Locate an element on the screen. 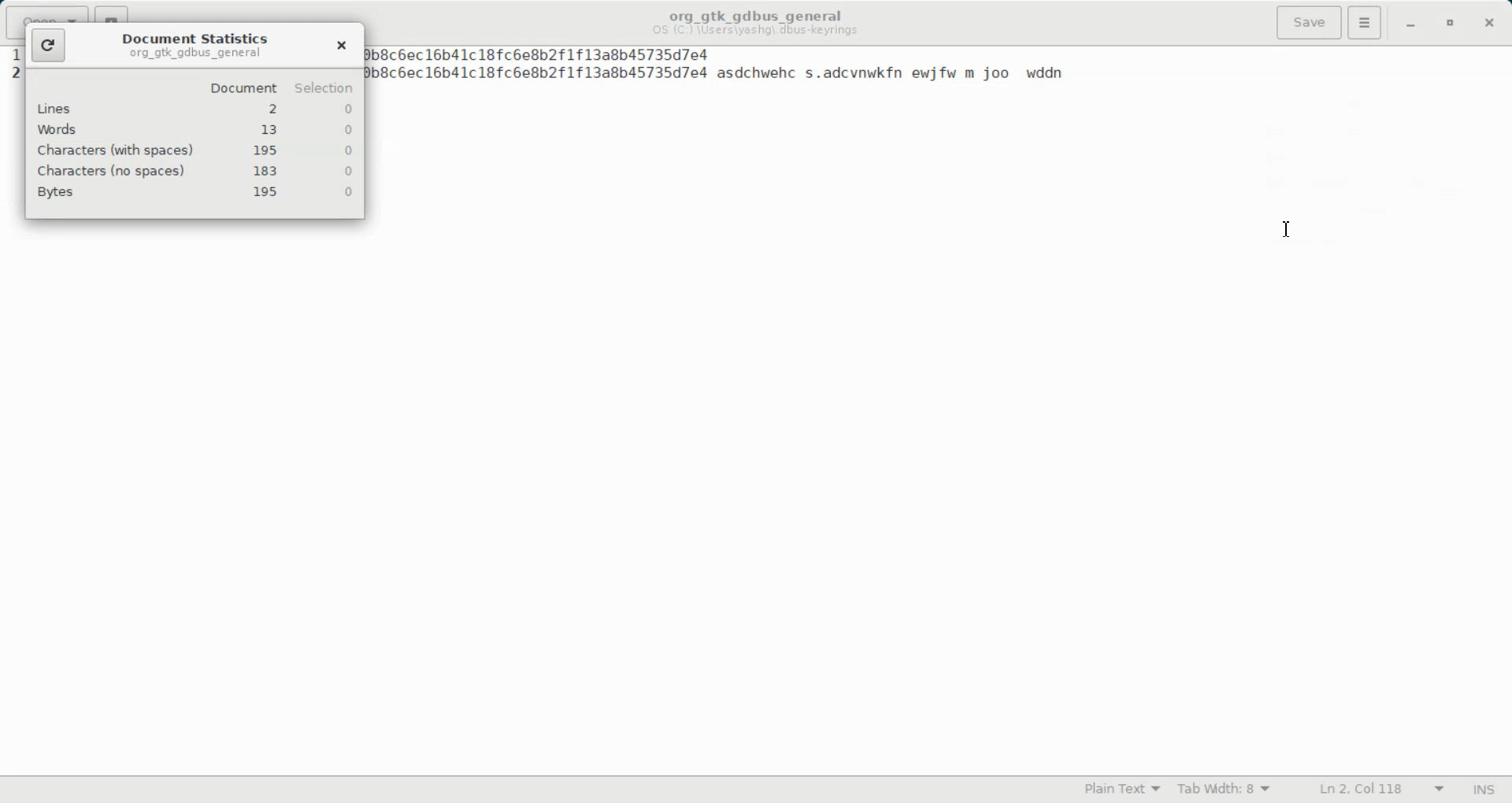  Bytes is located at coordinates (54, 194).